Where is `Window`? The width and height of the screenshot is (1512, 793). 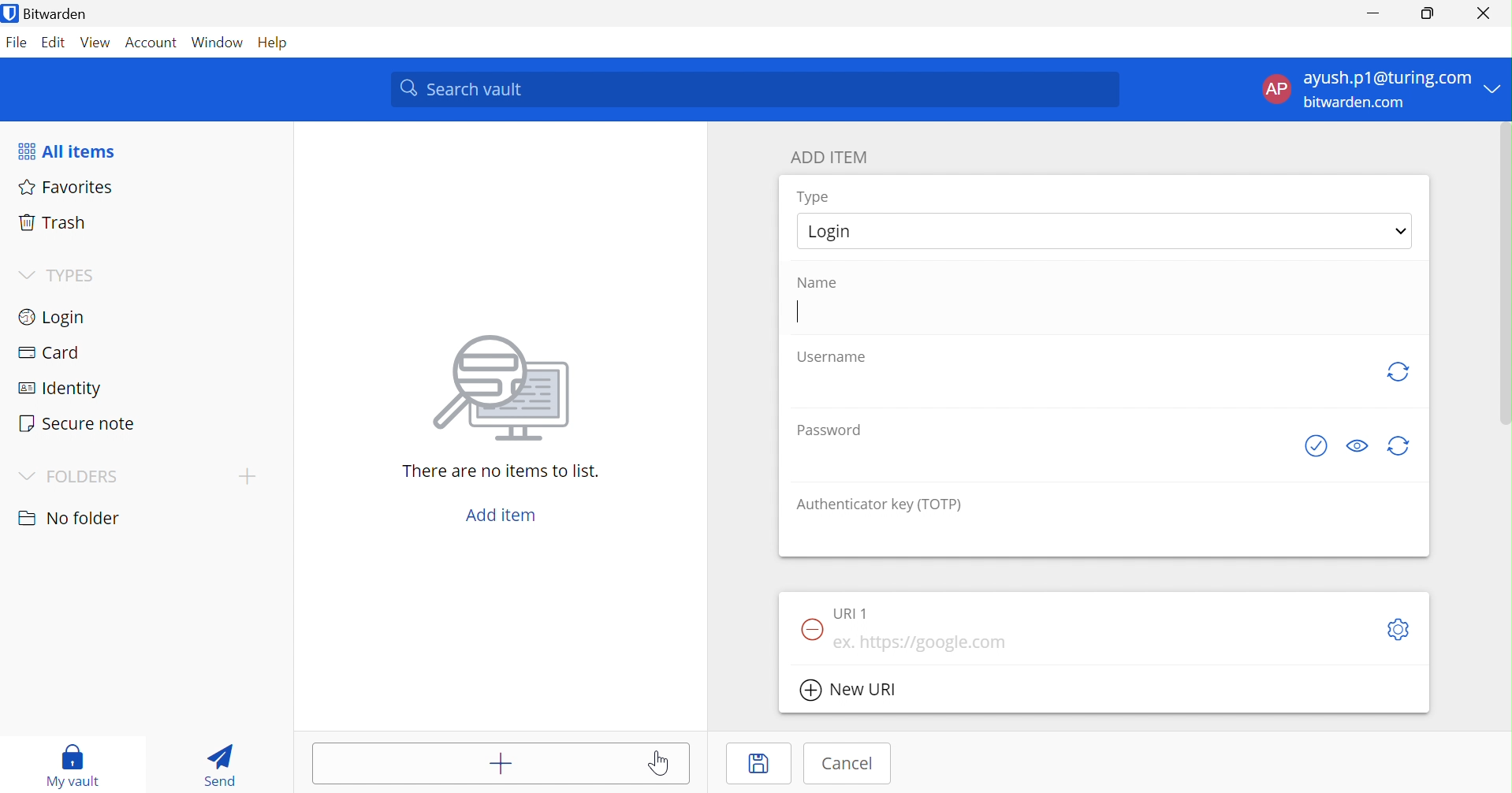
Window is located at coordinates (220, 43).